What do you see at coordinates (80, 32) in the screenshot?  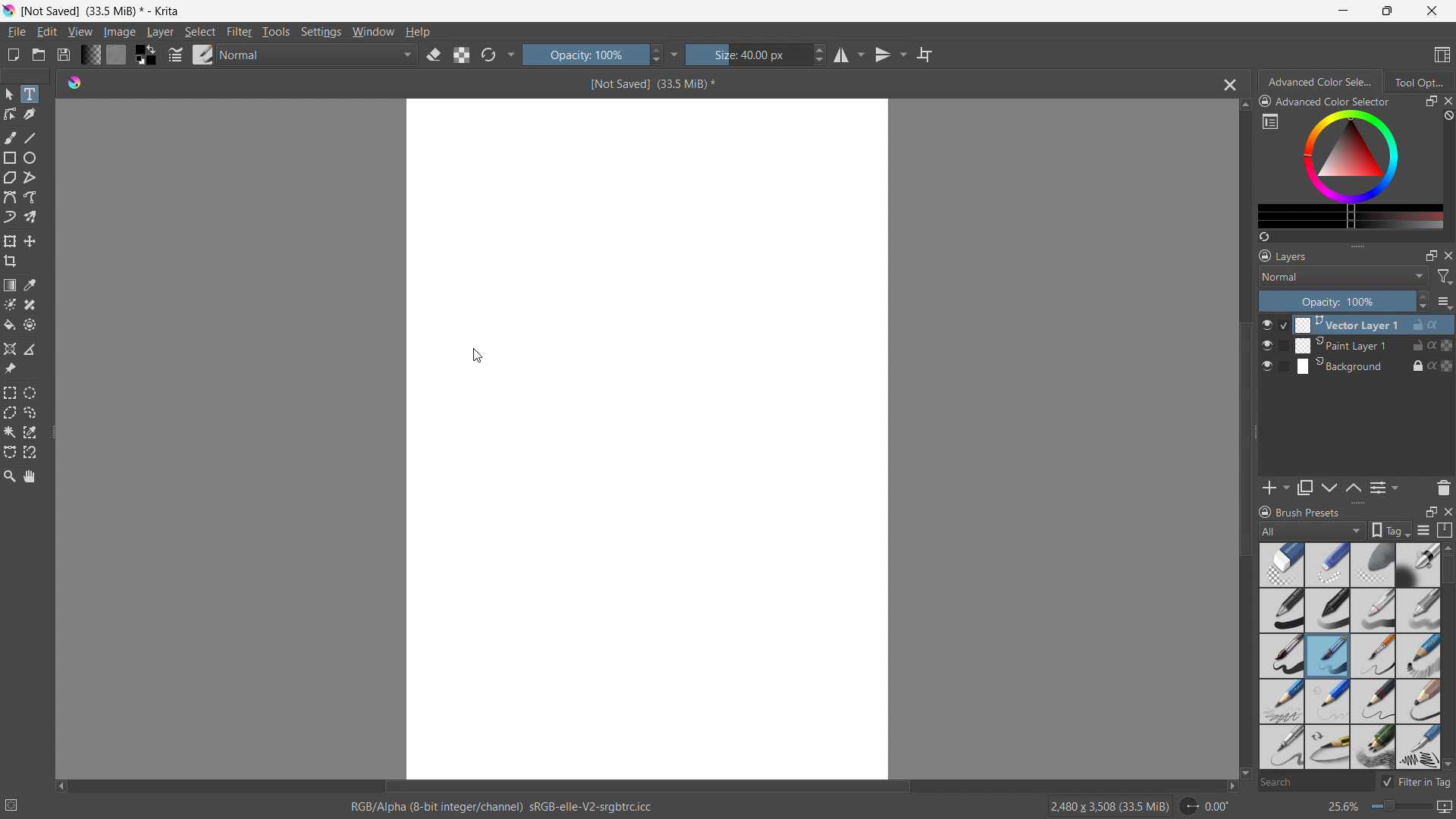 I see `view` at bounding box center [80, 32].